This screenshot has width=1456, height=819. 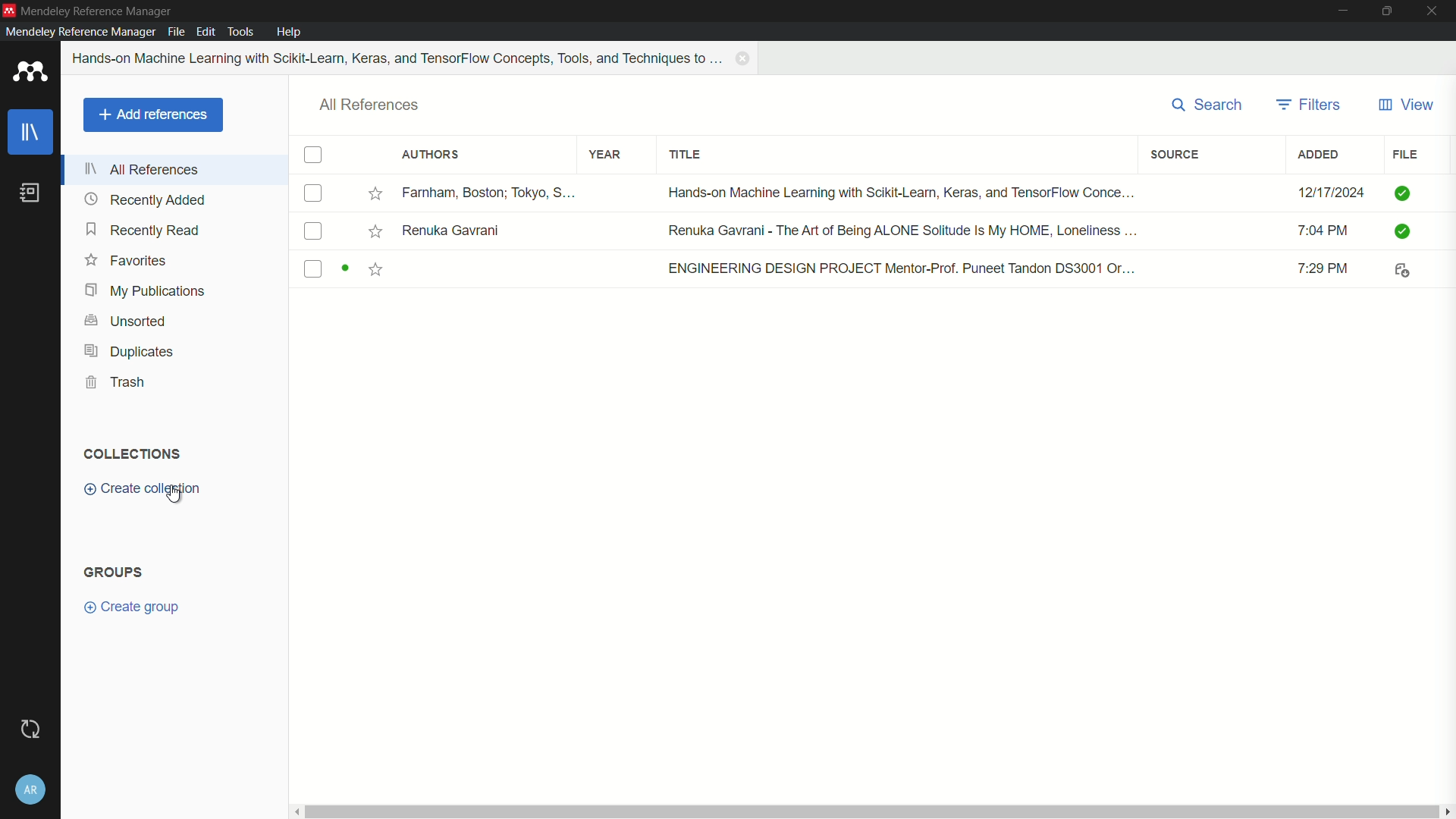 I want to click on book name, so click(x=399, y=58).